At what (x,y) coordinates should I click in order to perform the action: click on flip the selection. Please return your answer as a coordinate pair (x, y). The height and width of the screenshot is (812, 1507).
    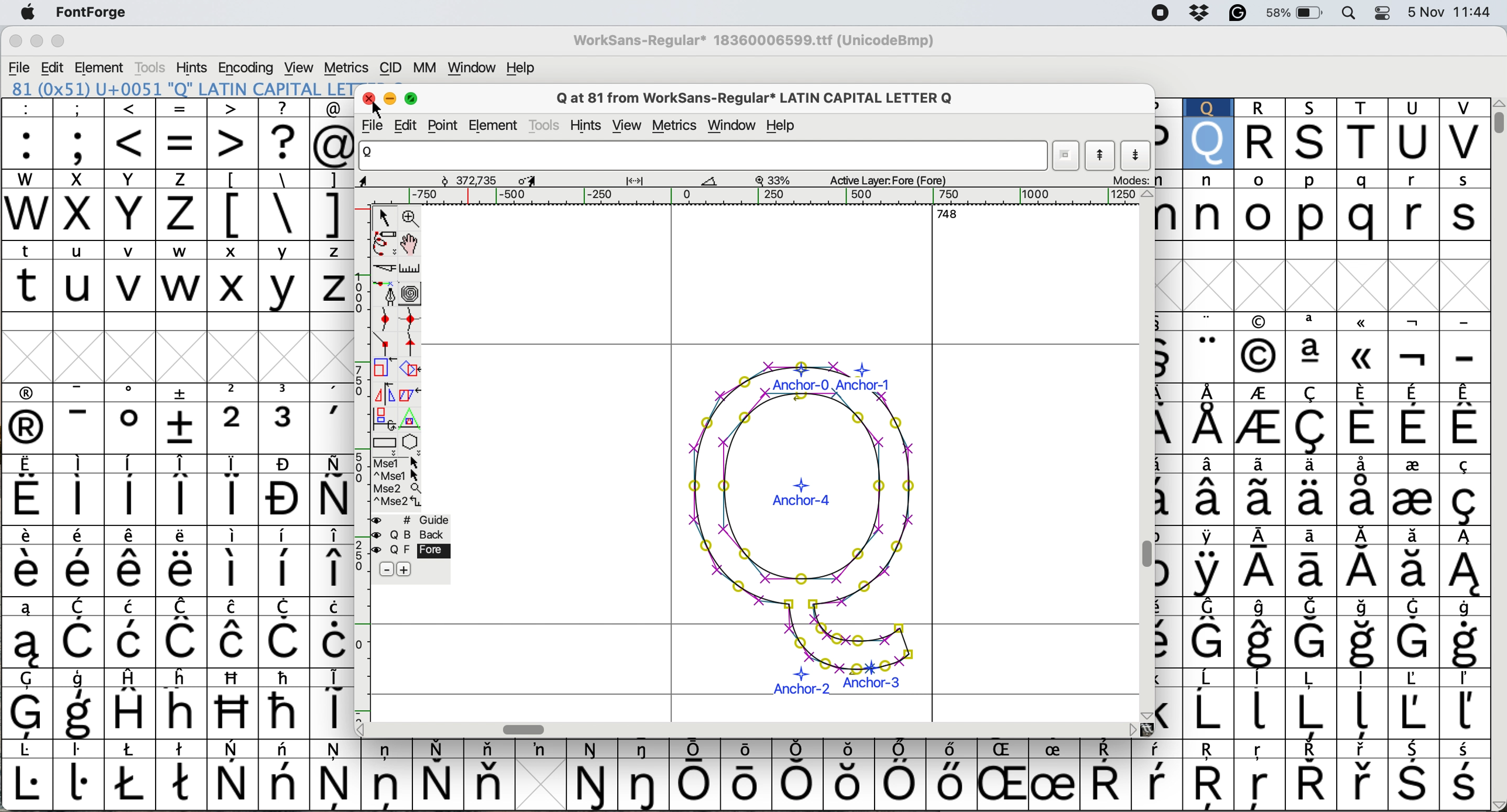
    Looking at the image, I should click on (384, 394).